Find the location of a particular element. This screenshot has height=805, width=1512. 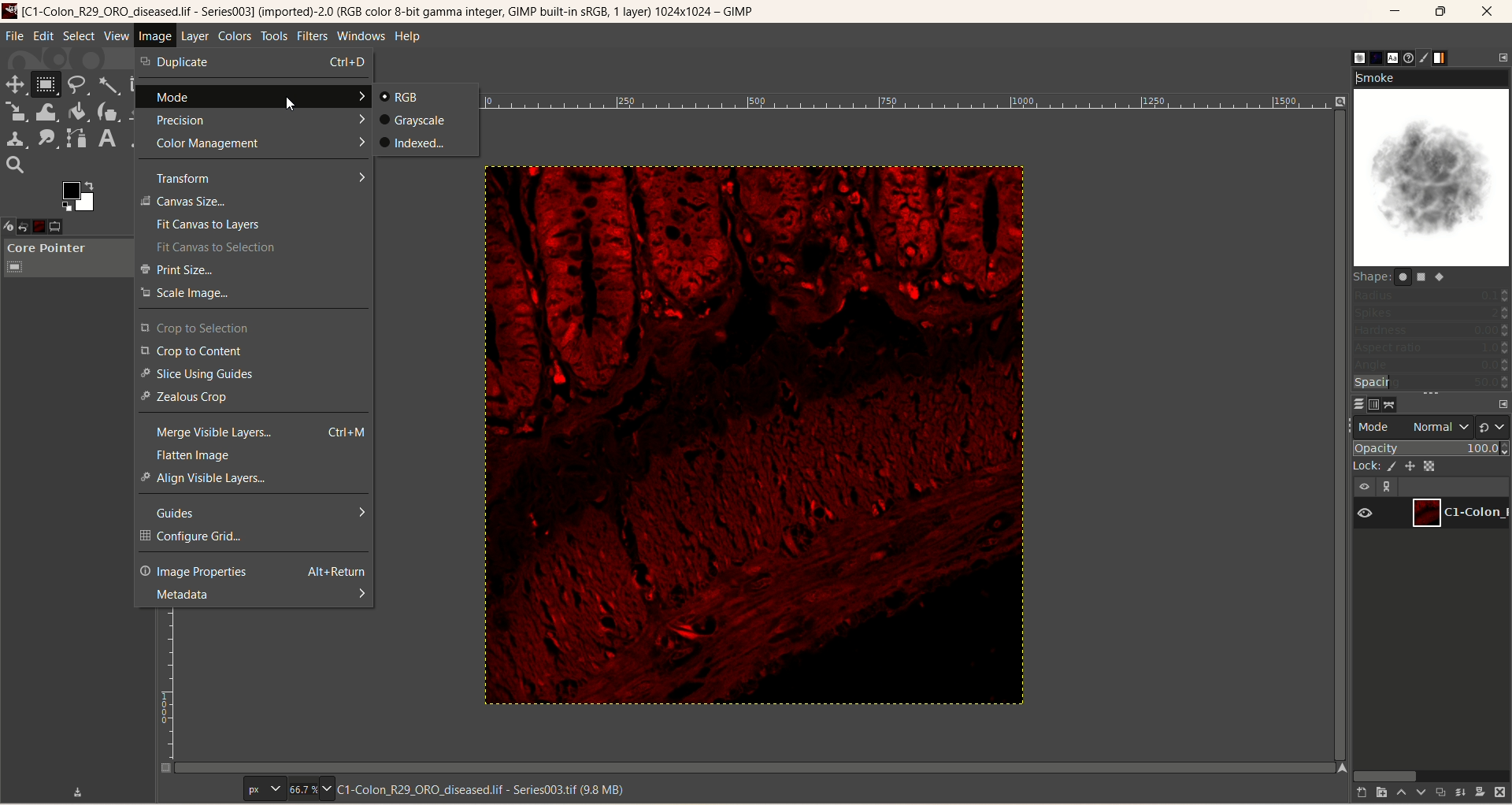

fit canvas to layers is located at coordinates (256, 226).